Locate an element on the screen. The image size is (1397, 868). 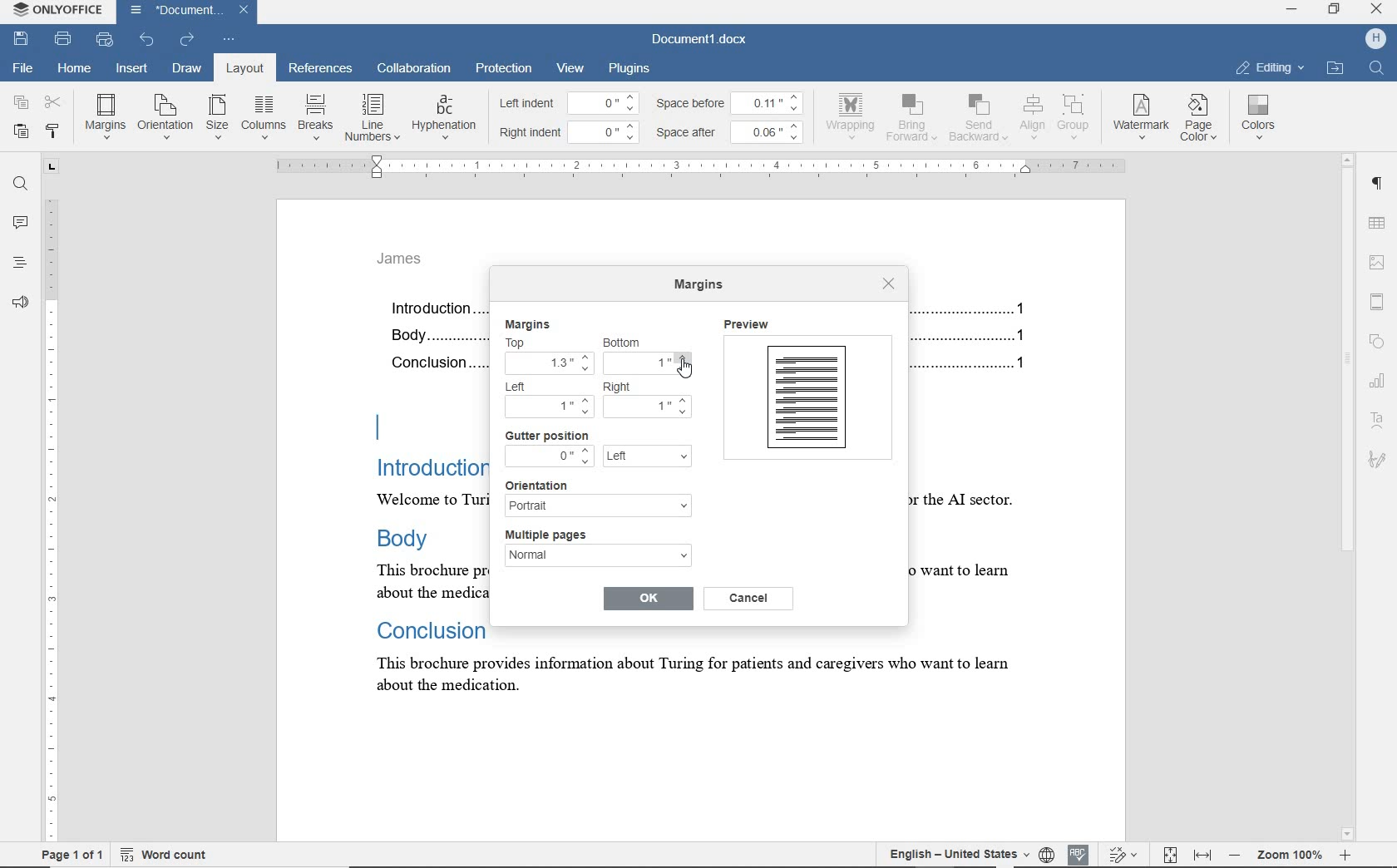
top is located at coordinates (525, 343).